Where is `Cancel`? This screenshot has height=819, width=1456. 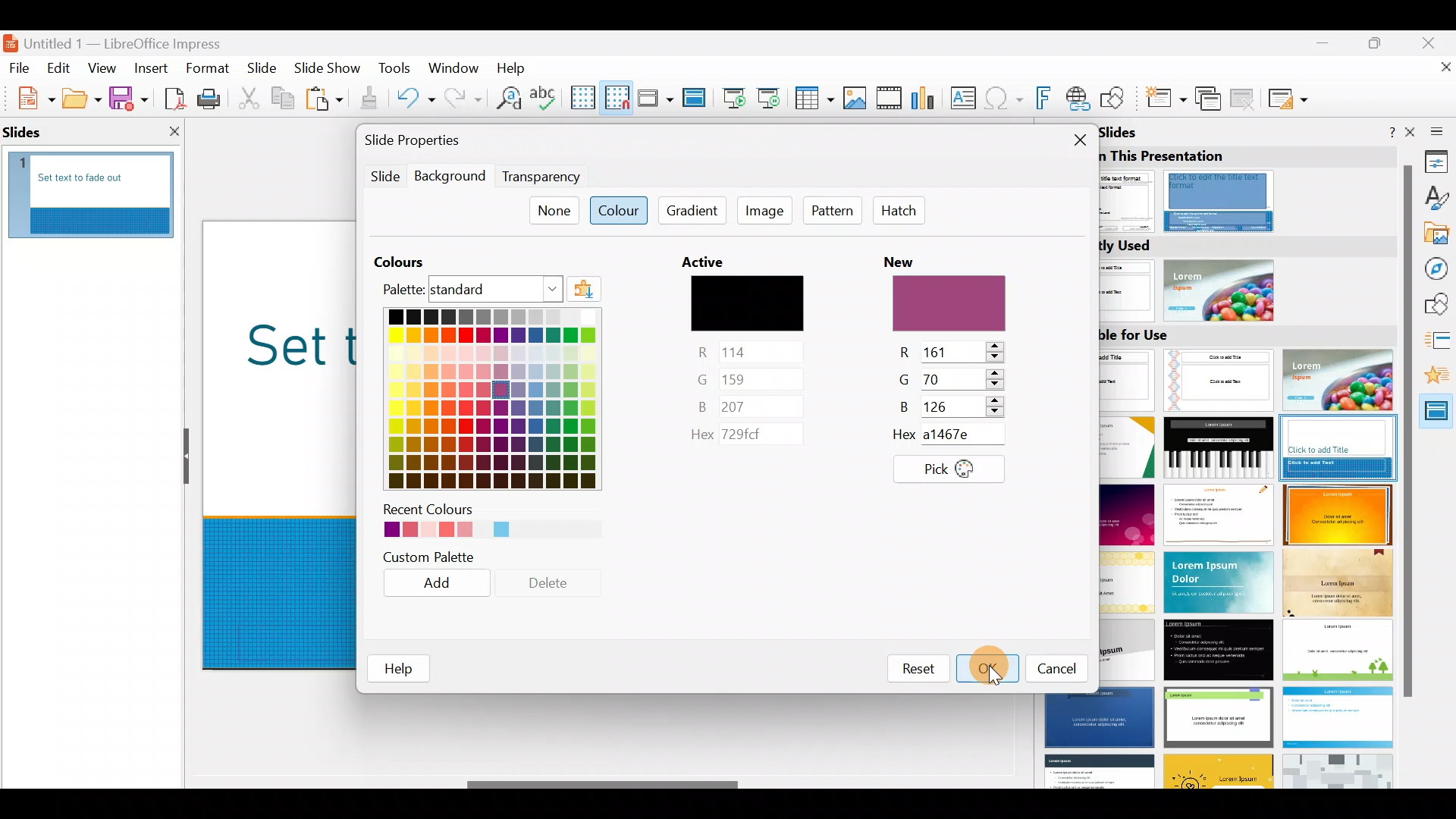
Cancel is located at coordinates (1051, 669).